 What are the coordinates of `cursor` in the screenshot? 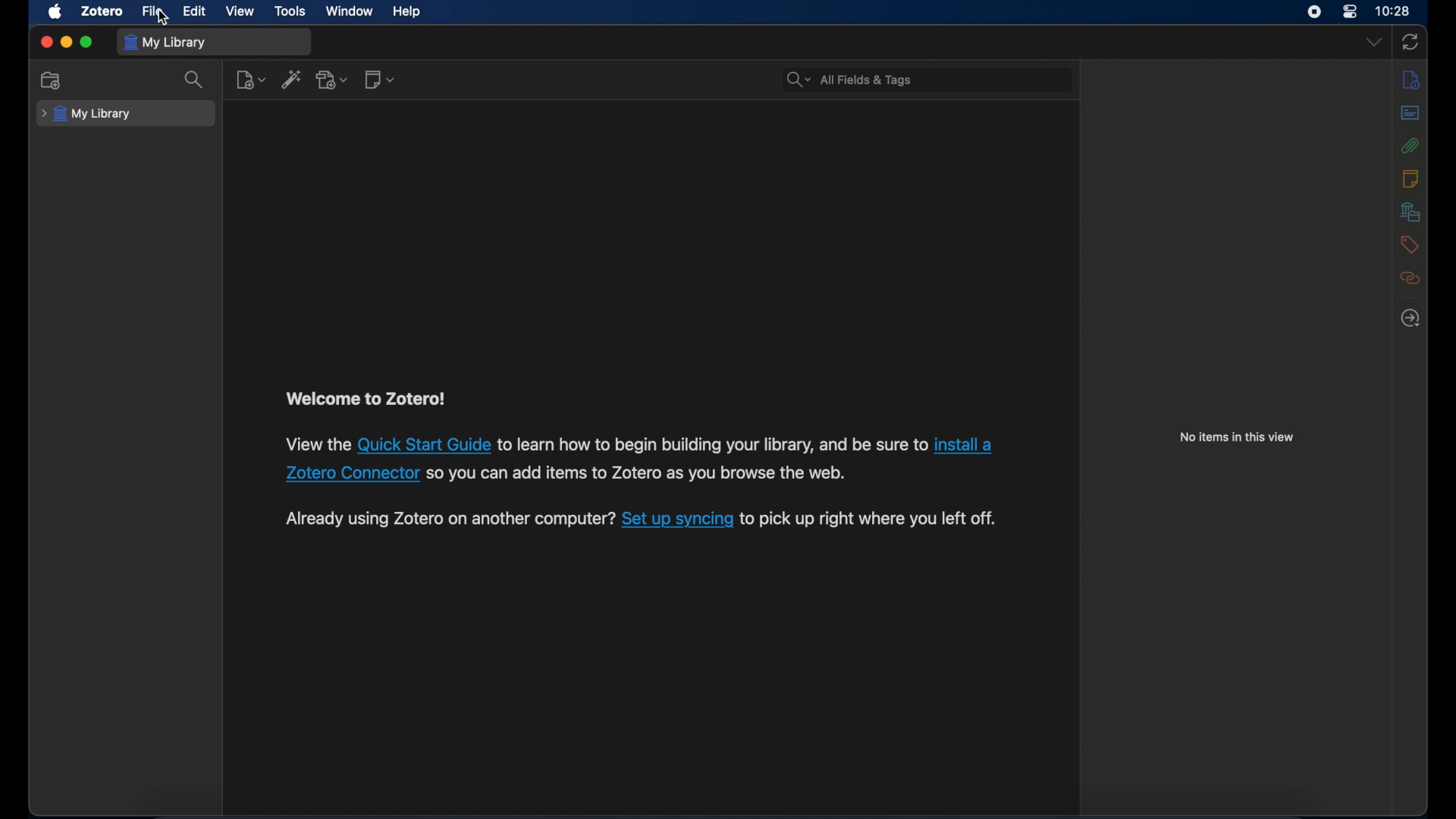 It's located at (164, 19).